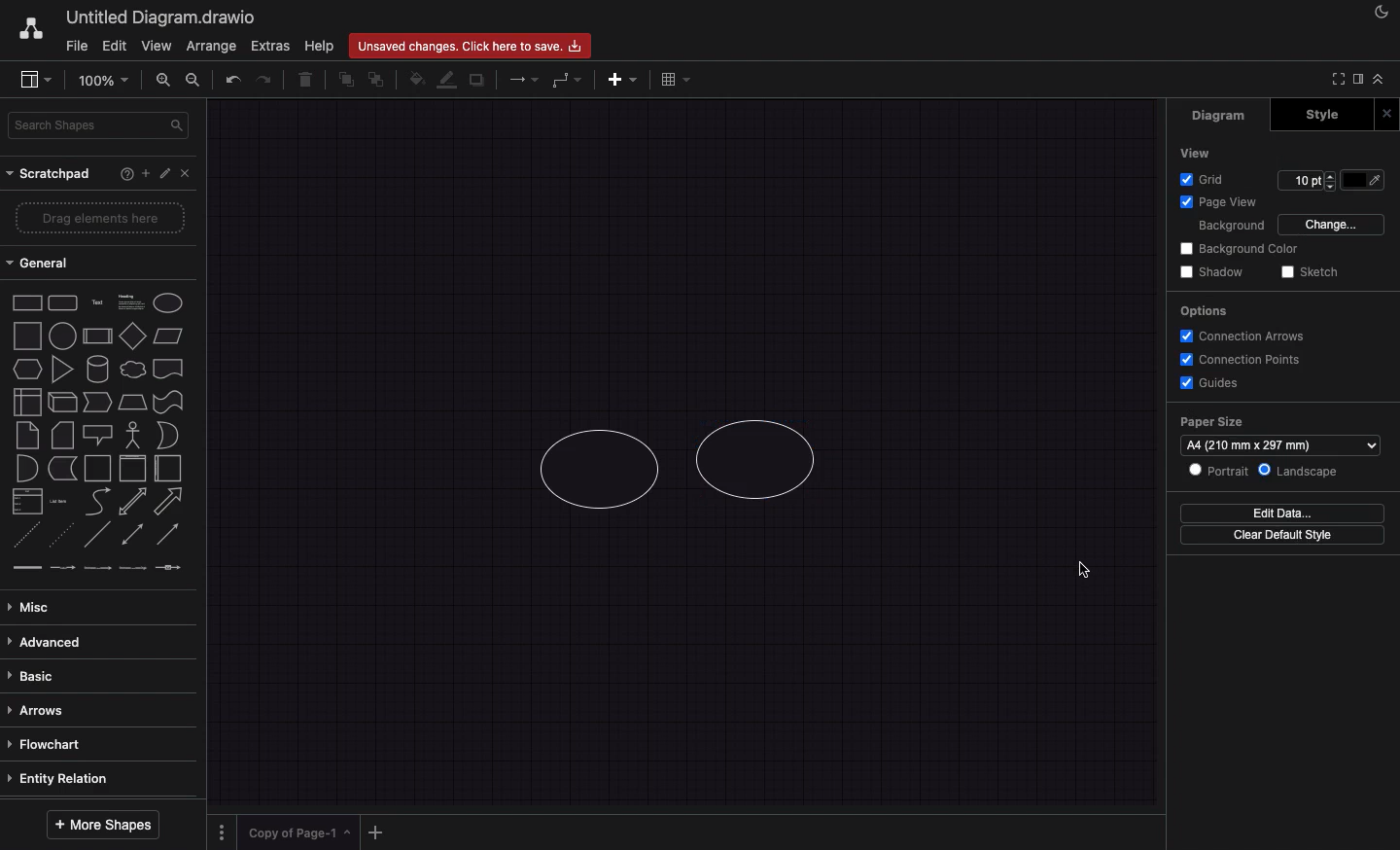 This screenshot has height=850, width=1400. Describe the element at coordinates (1386, 115) in the screenshot. I see `close` at that location.